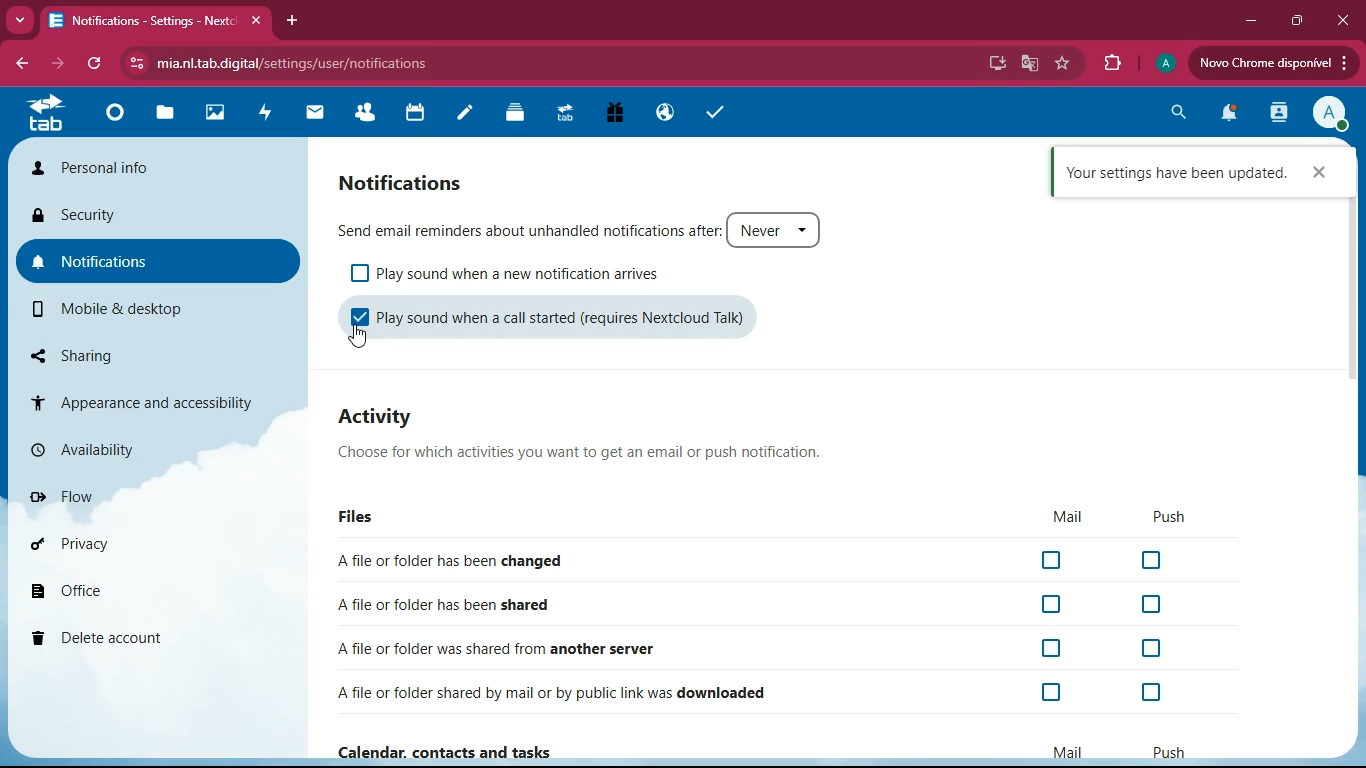 The height and width of the screenshot is (768, 1366). What do you see at coordinates (1299, 22) in the screenshot?
I see `maximize` at bounding box center [1299, 22].